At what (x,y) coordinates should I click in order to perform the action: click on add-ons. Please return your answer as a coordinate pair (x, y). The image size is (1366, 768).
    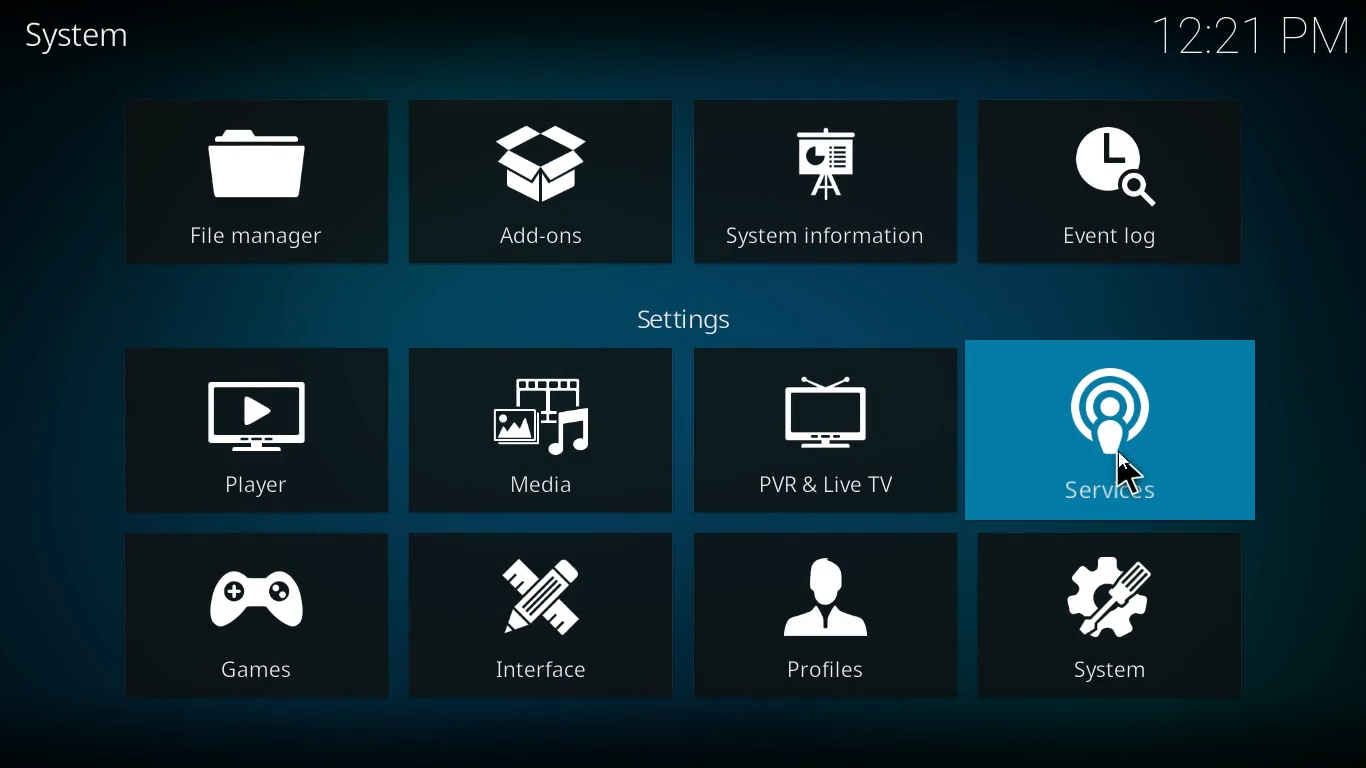
    Looking at the image, I should click on (540, 177).